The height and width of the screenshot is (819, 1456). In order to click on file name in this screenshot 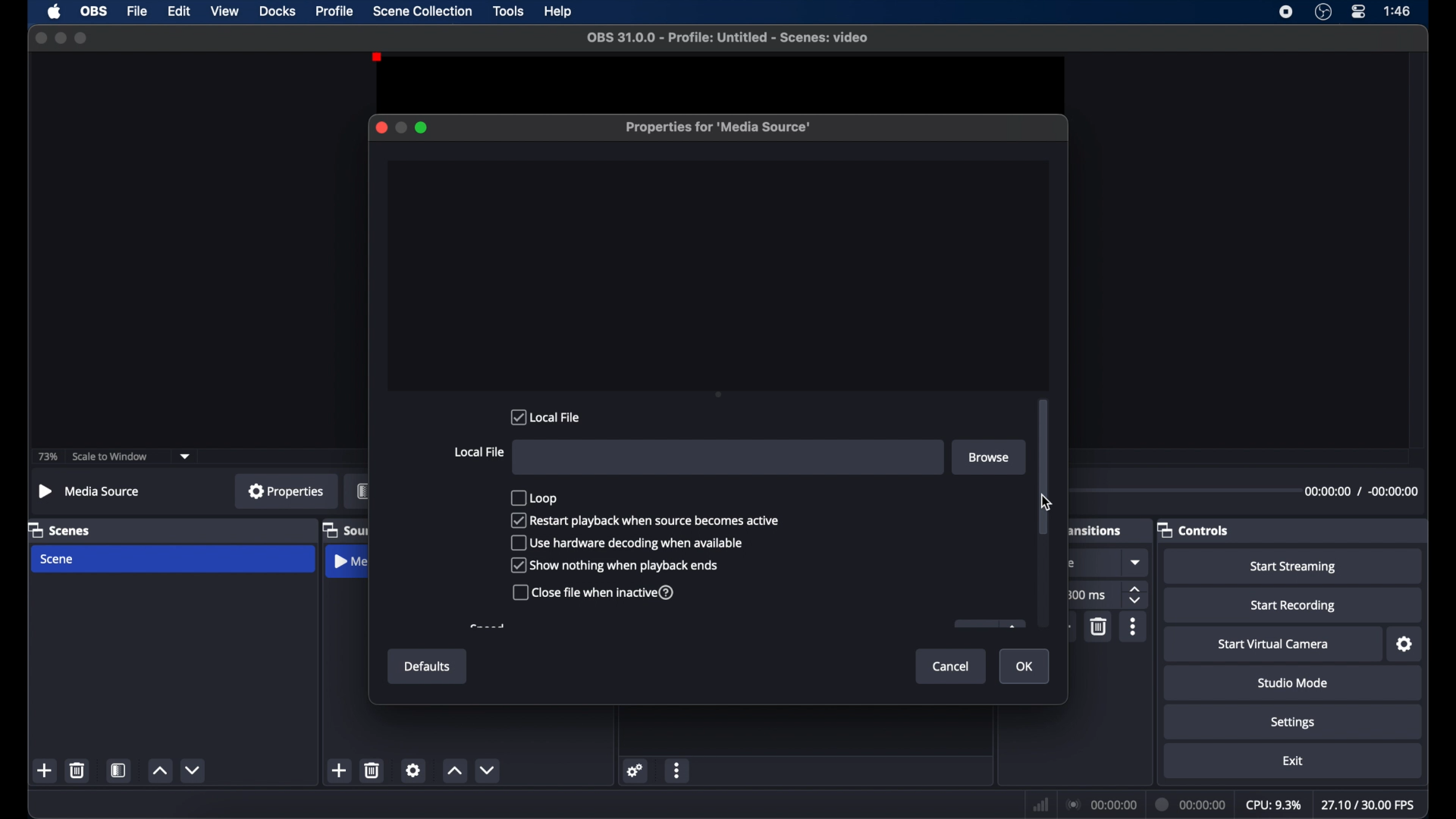, I will do `click(732, 38)`.